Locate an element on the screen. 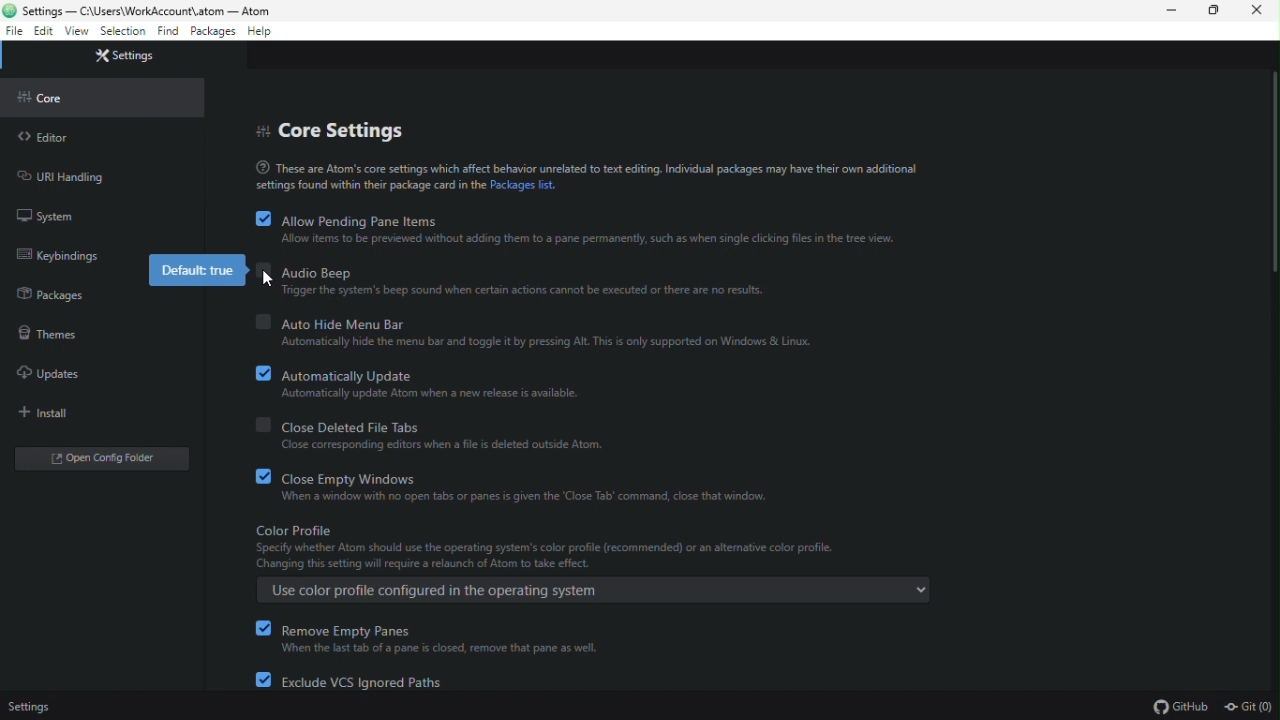 This screenshot has width=1280, height=720. When the last tab of a pane is closed, remove that pane as well. is located at coordinates (451, 648).